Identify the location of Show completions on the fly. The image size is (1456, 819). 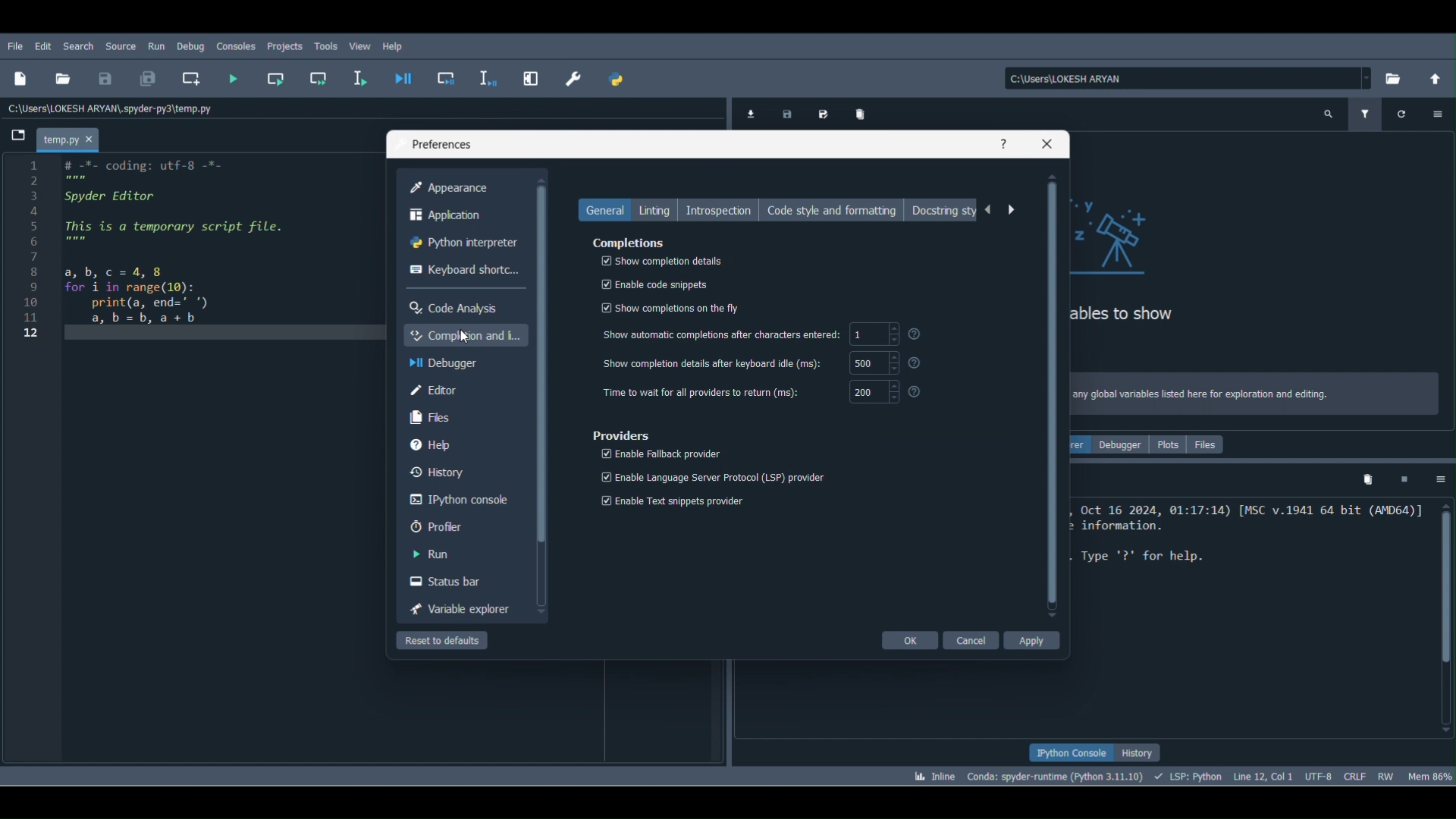
(675, 306).